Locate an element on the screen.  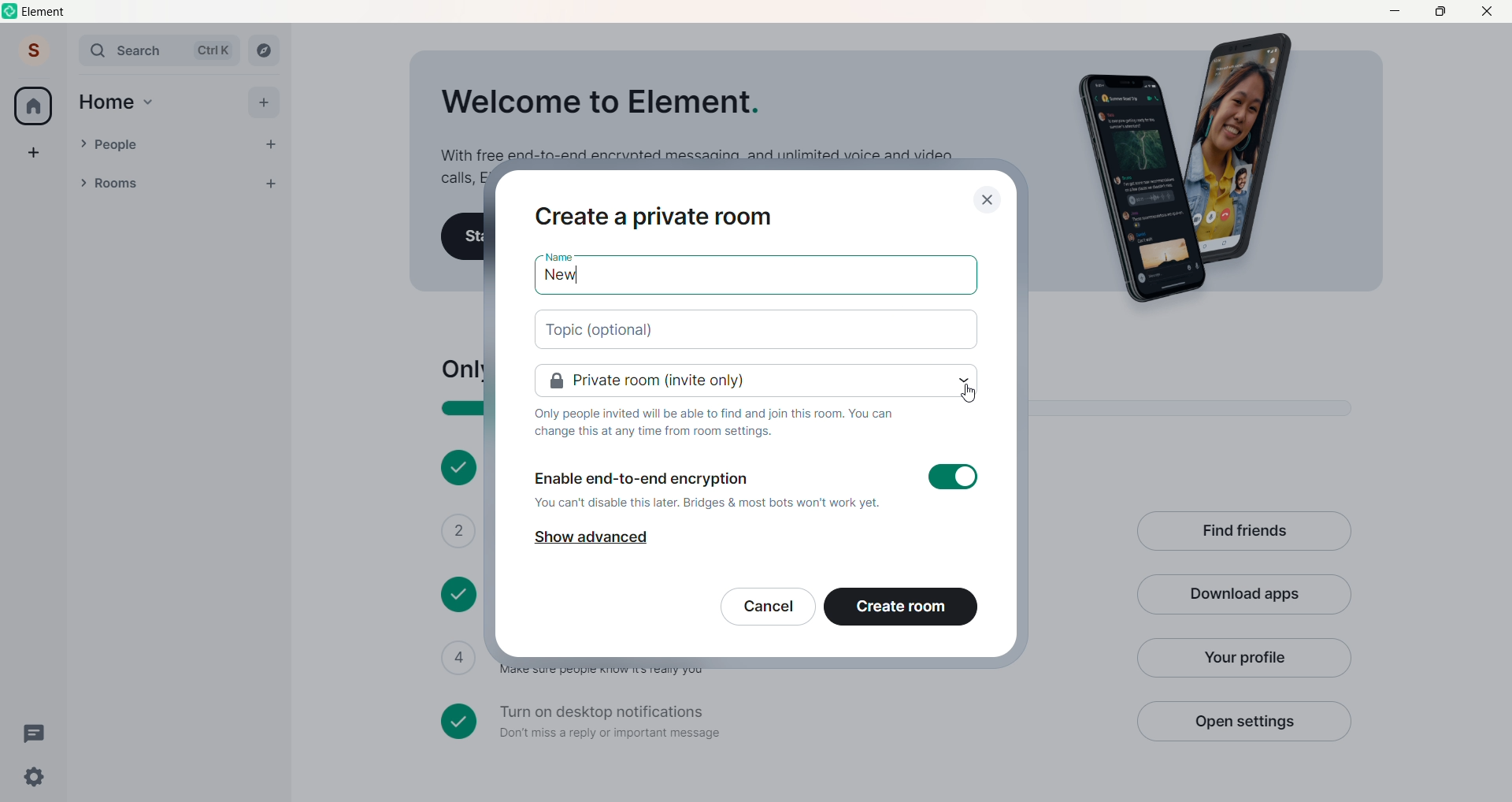
Open Settings is located at coordinates (1243, 721).